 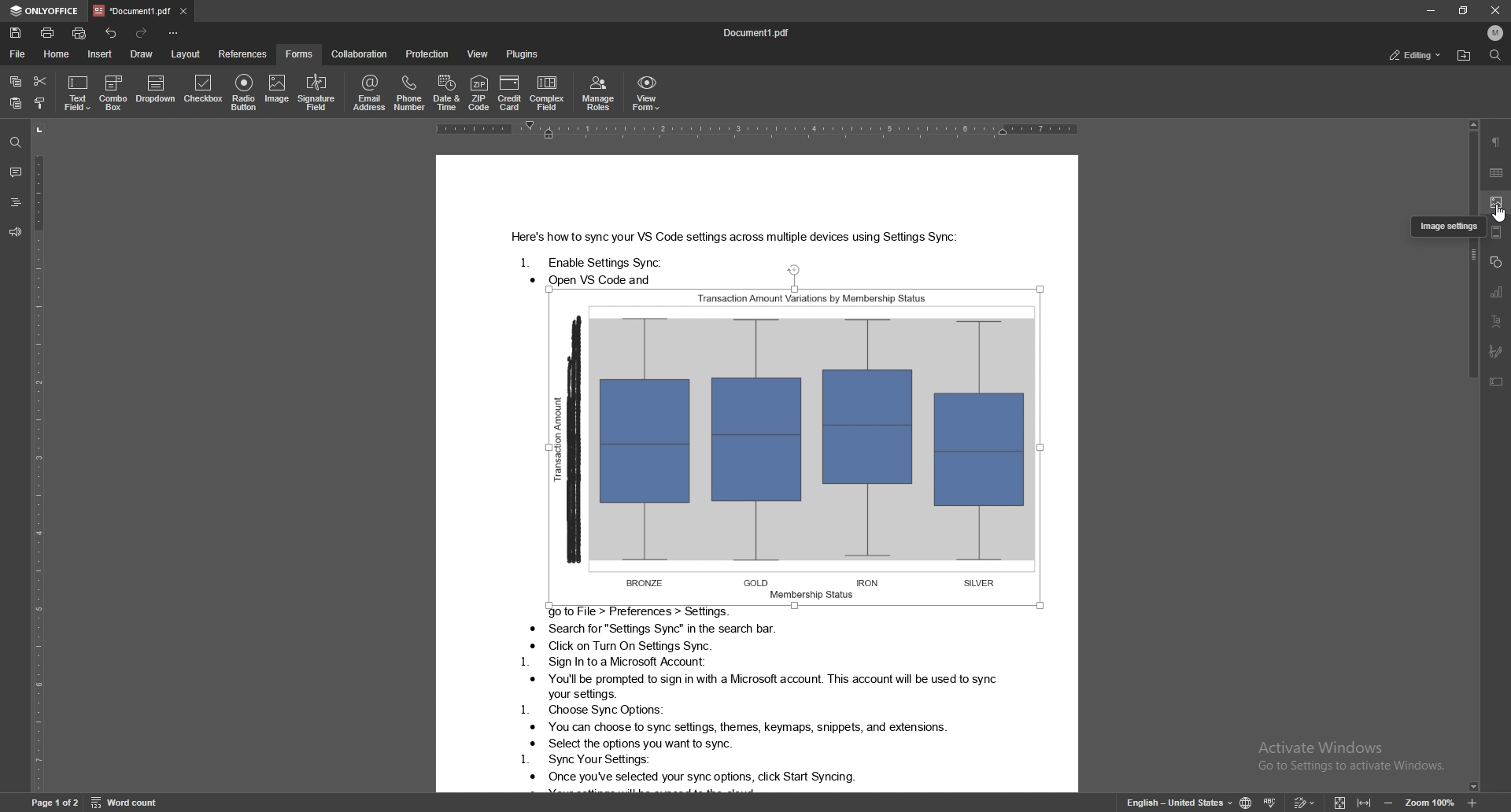 I want to click on spell check, so click(x=1269, y=803).